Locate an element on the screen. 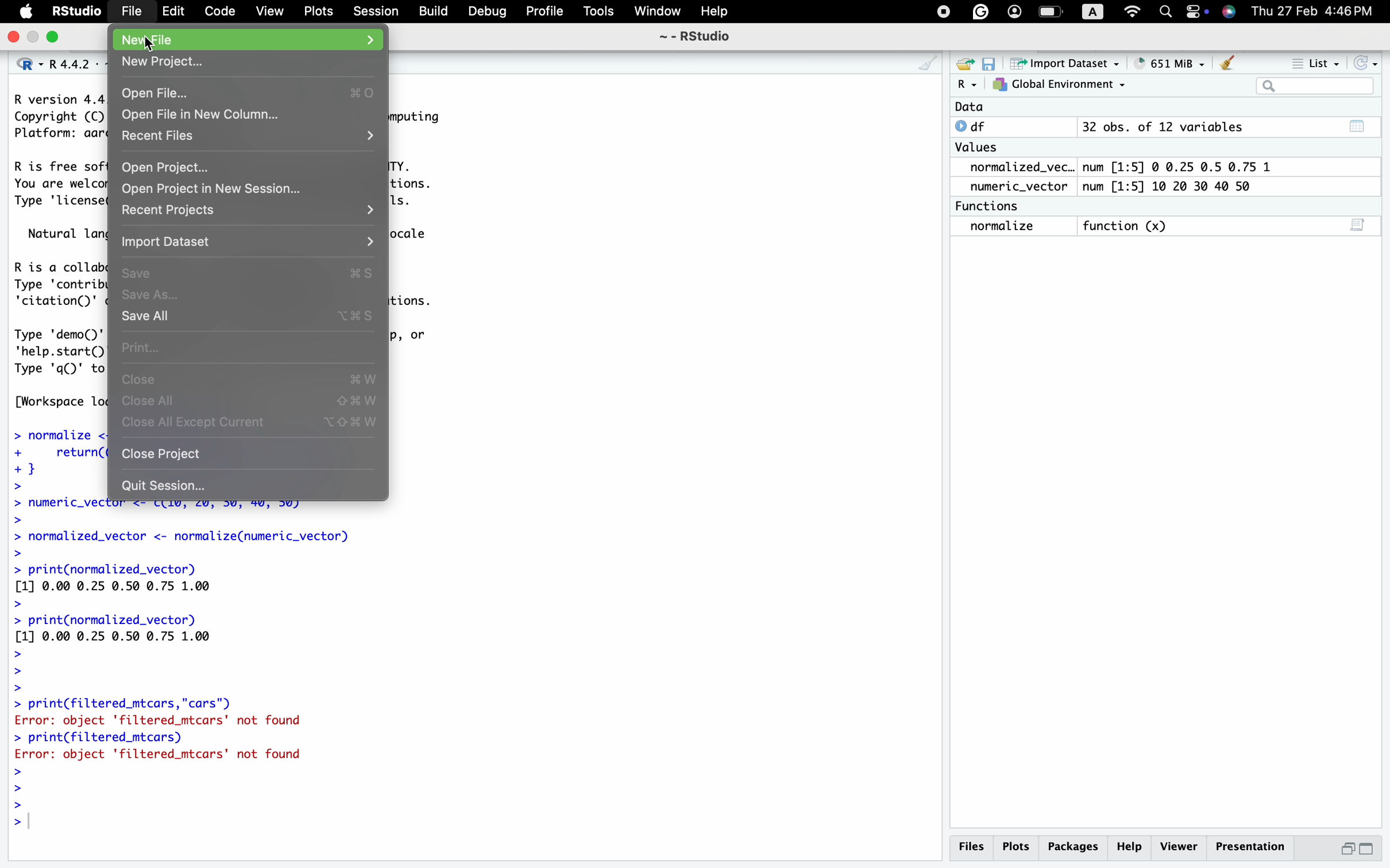  user is located at coordinates (1018, 12).